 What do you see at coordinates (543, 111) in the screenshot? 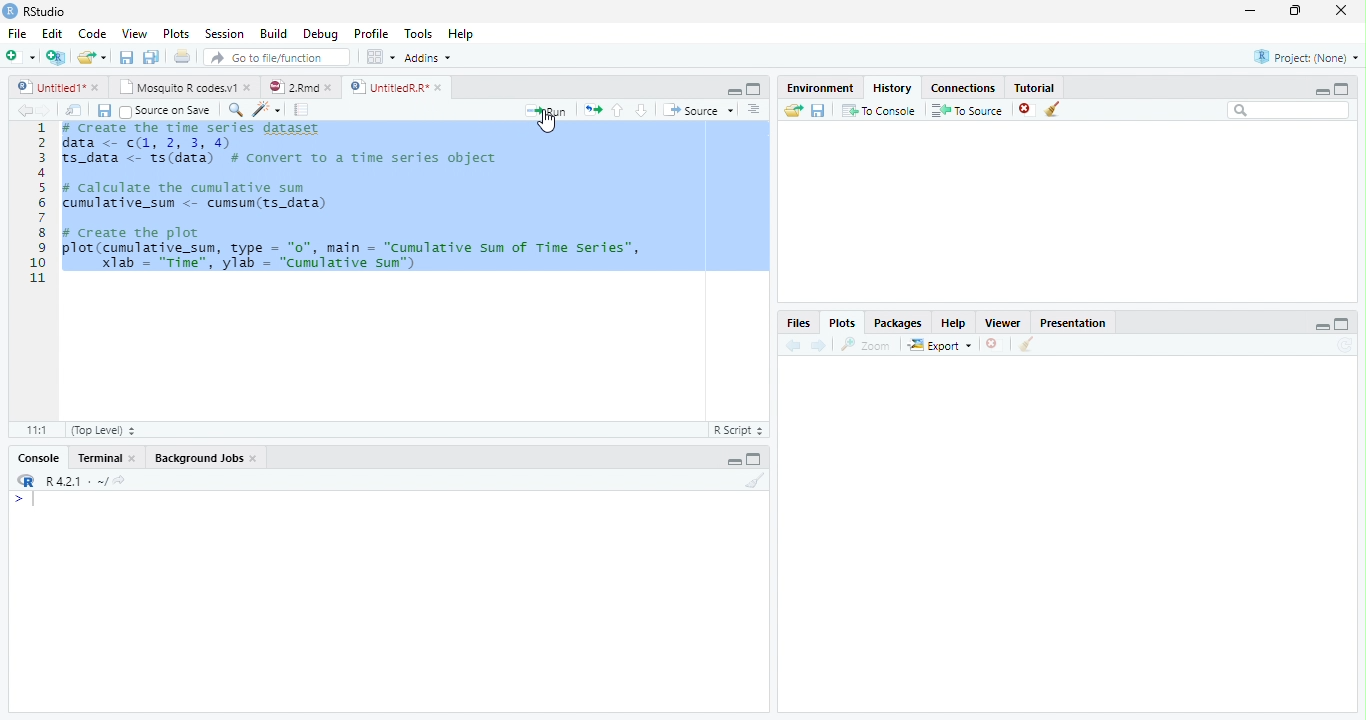
I see `Run` at bounding box center [543, 111].